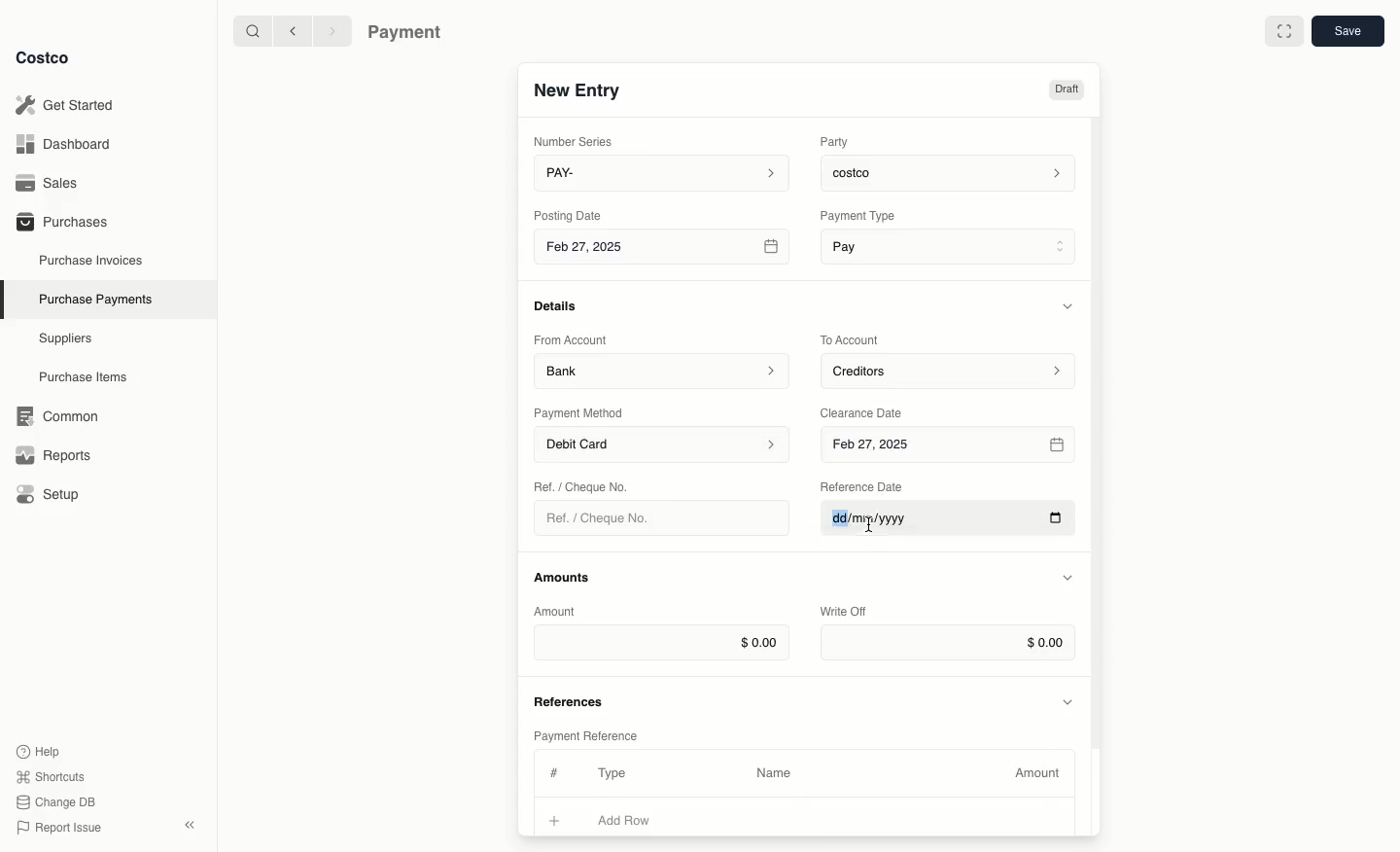  Describe the element at coordinates (663, 445) in the screenshot. I see `Debit Card` at that location.